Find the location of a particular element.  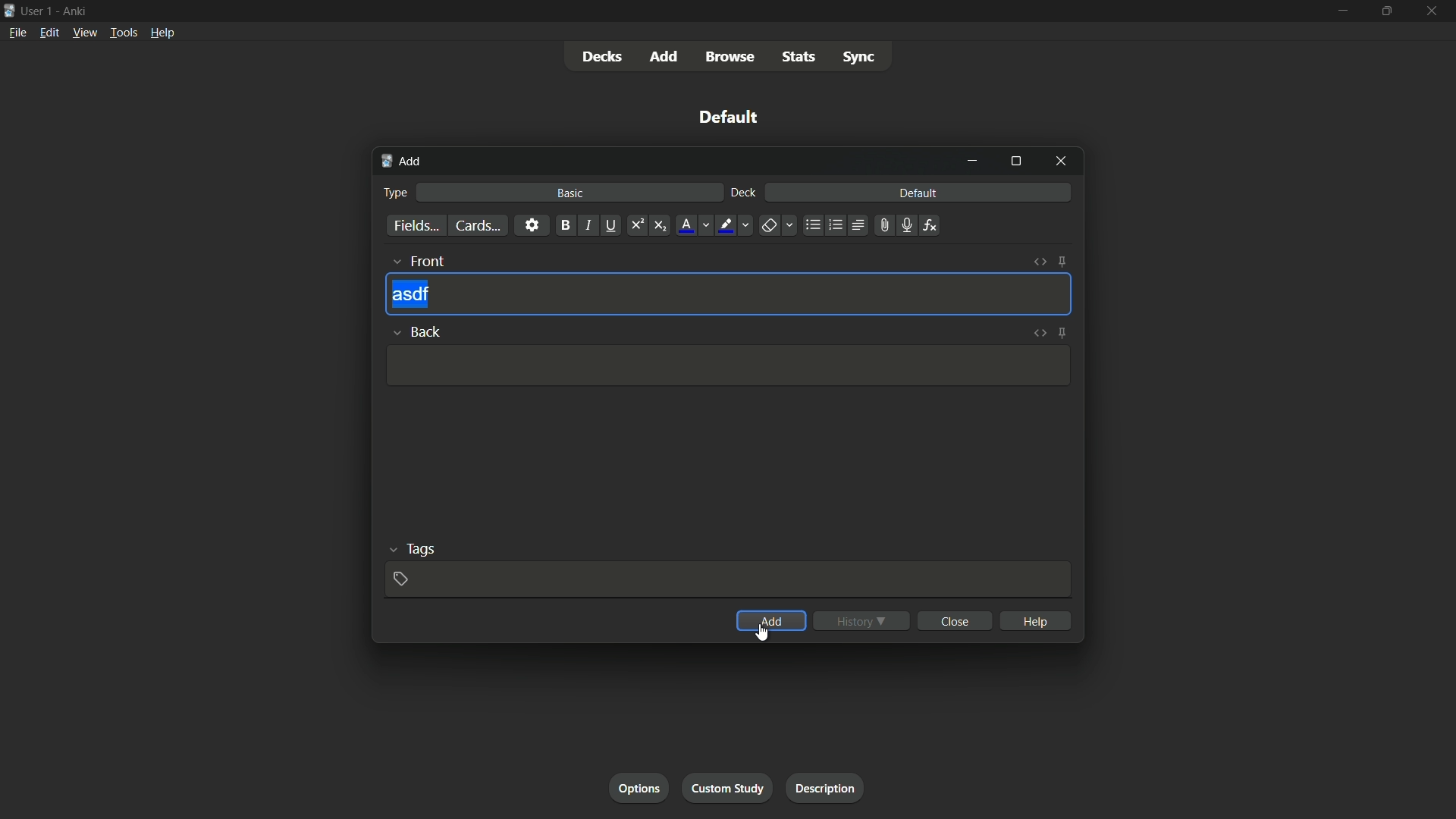

close is located at coordinates (1061, 162).